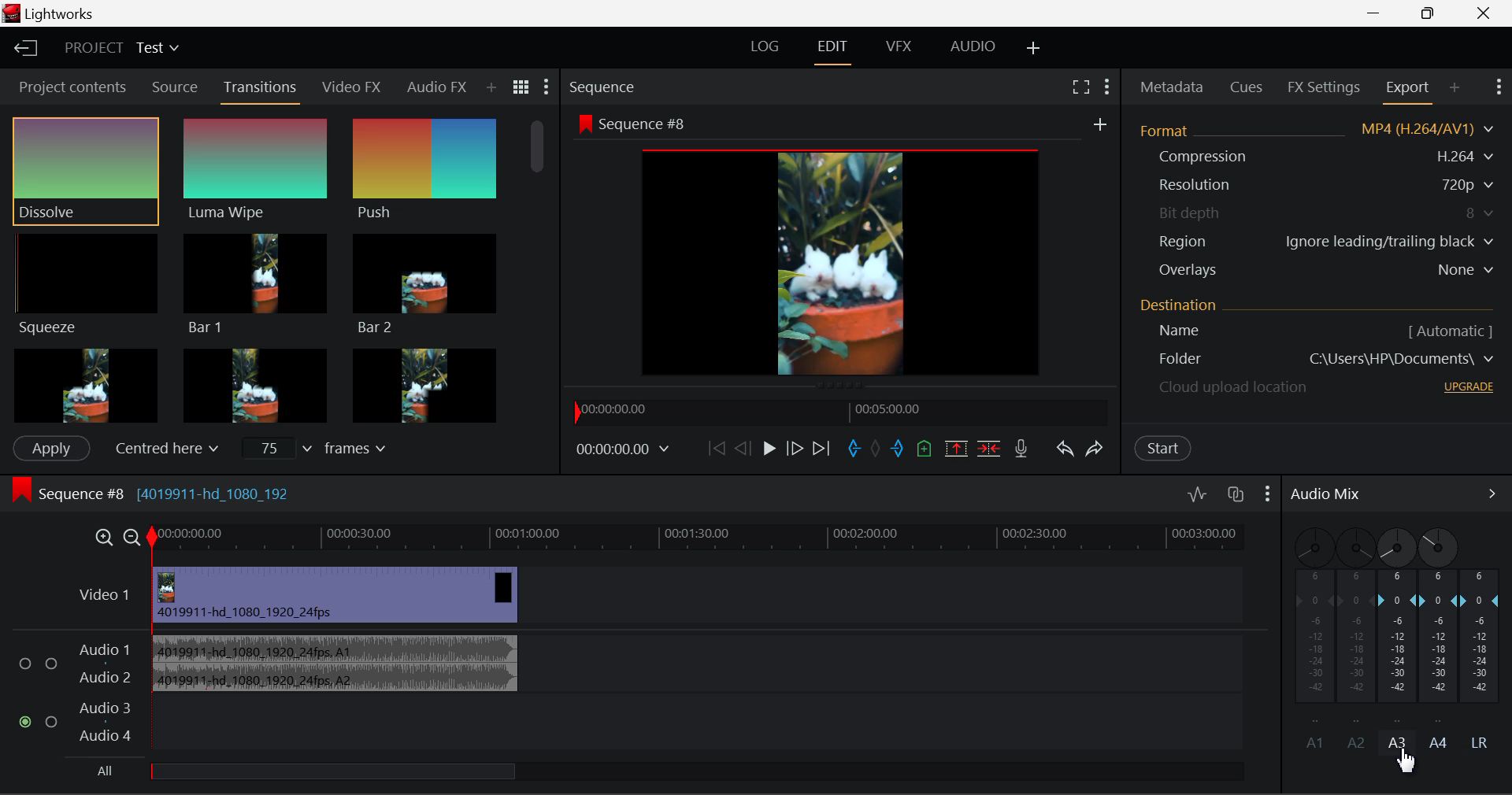  Describe the element at coordinates (83, 283) in the screenshot. I see `Squeeze` at that location.